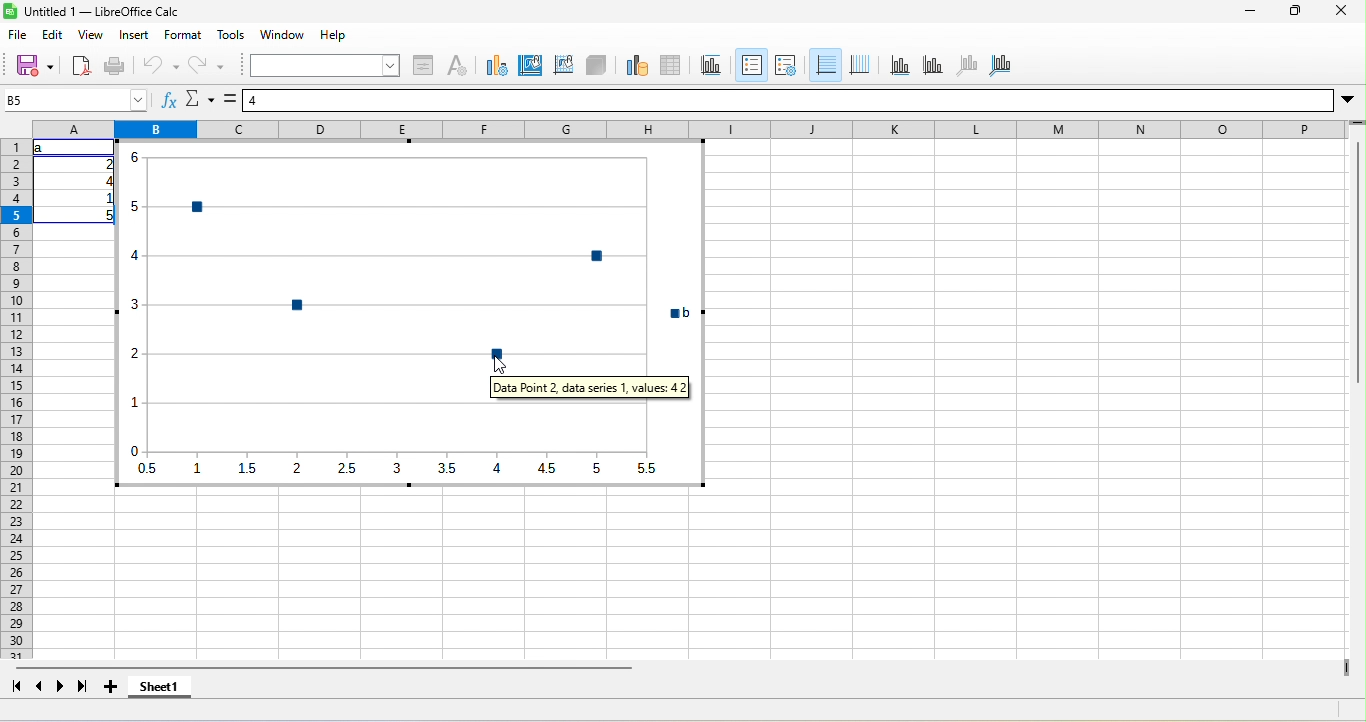 Image resolution: width=1366 pixels, height=722 pixels. What do you see at coordinates (116, 66) in the screenshot?
I see `print` at bounding box center [116, 66].